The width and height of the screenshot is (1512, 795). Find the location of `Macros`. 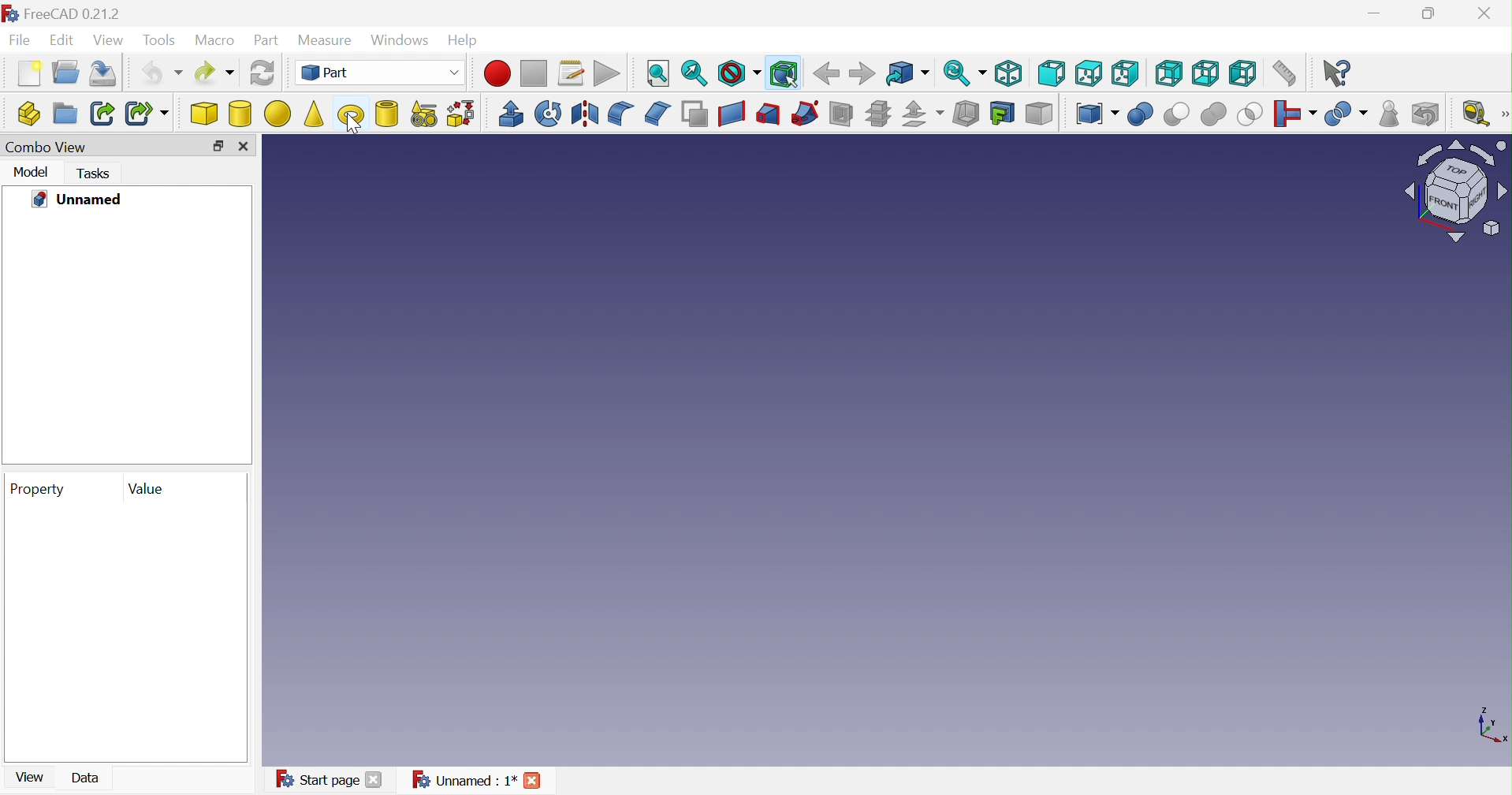

Macros is located at coordinates (572, 73).